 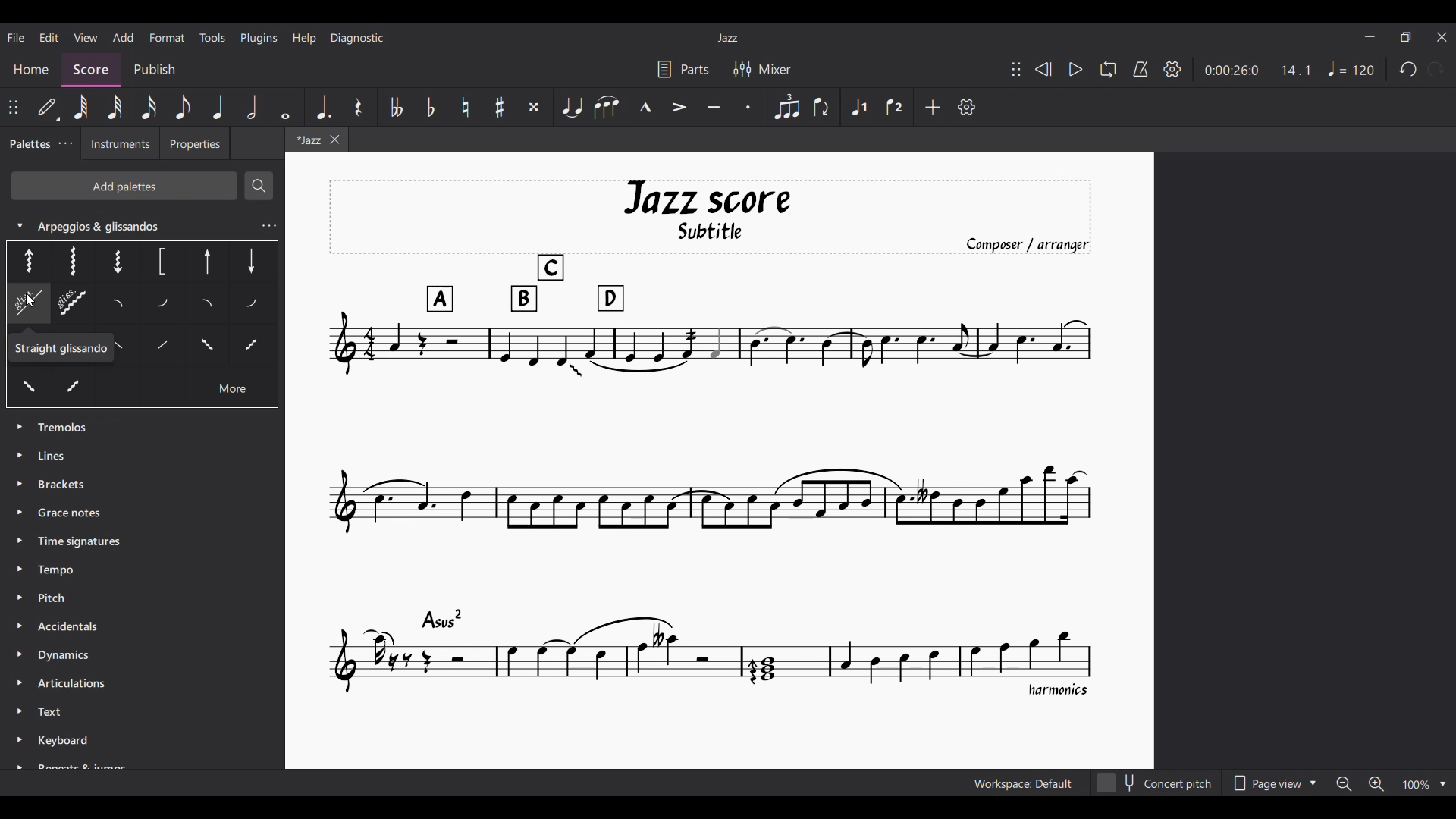 I want to click on Staccato, so click(x=749, y=107).